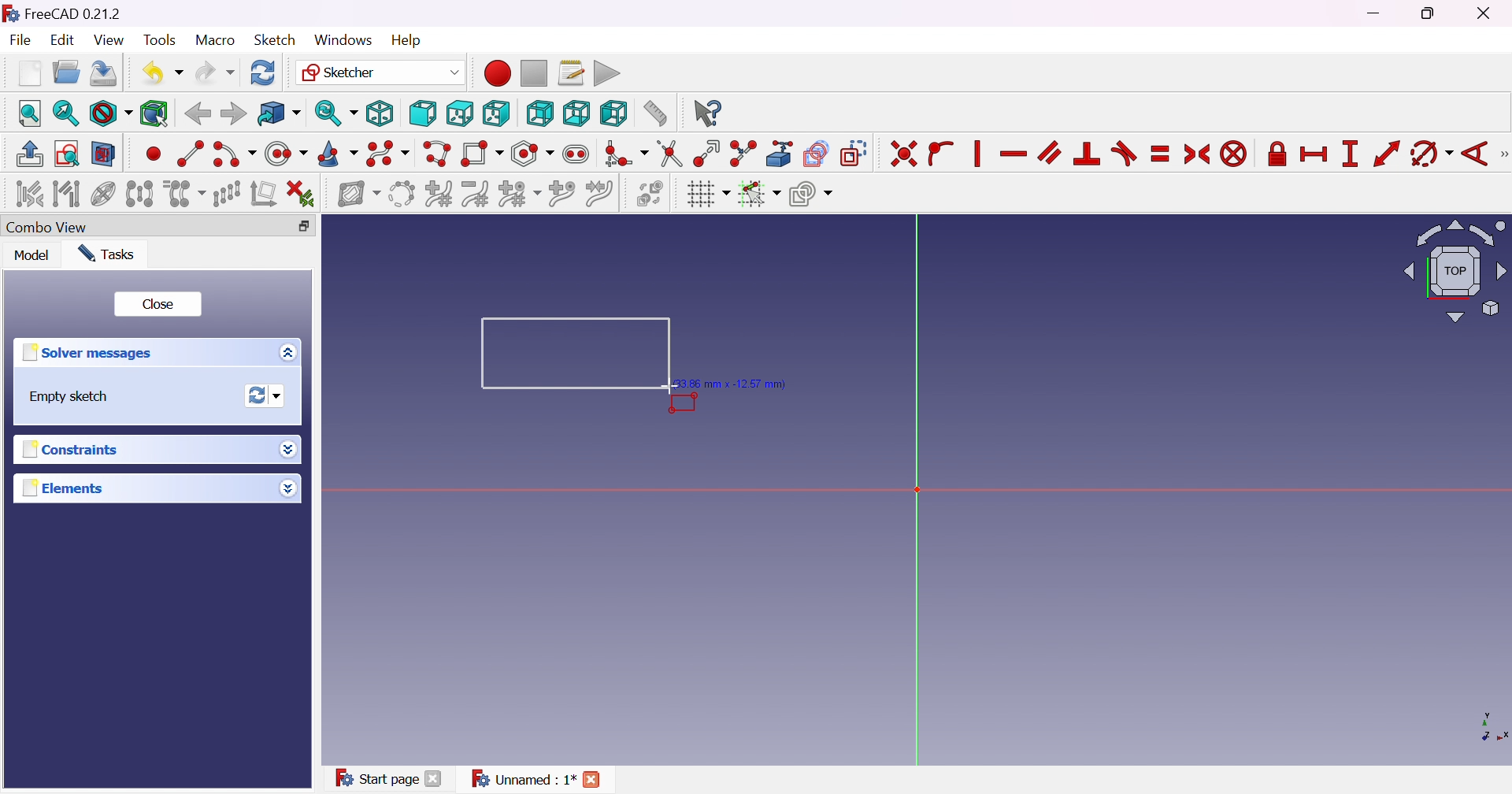  I want to click on Rectangular array, so click(228, 194).